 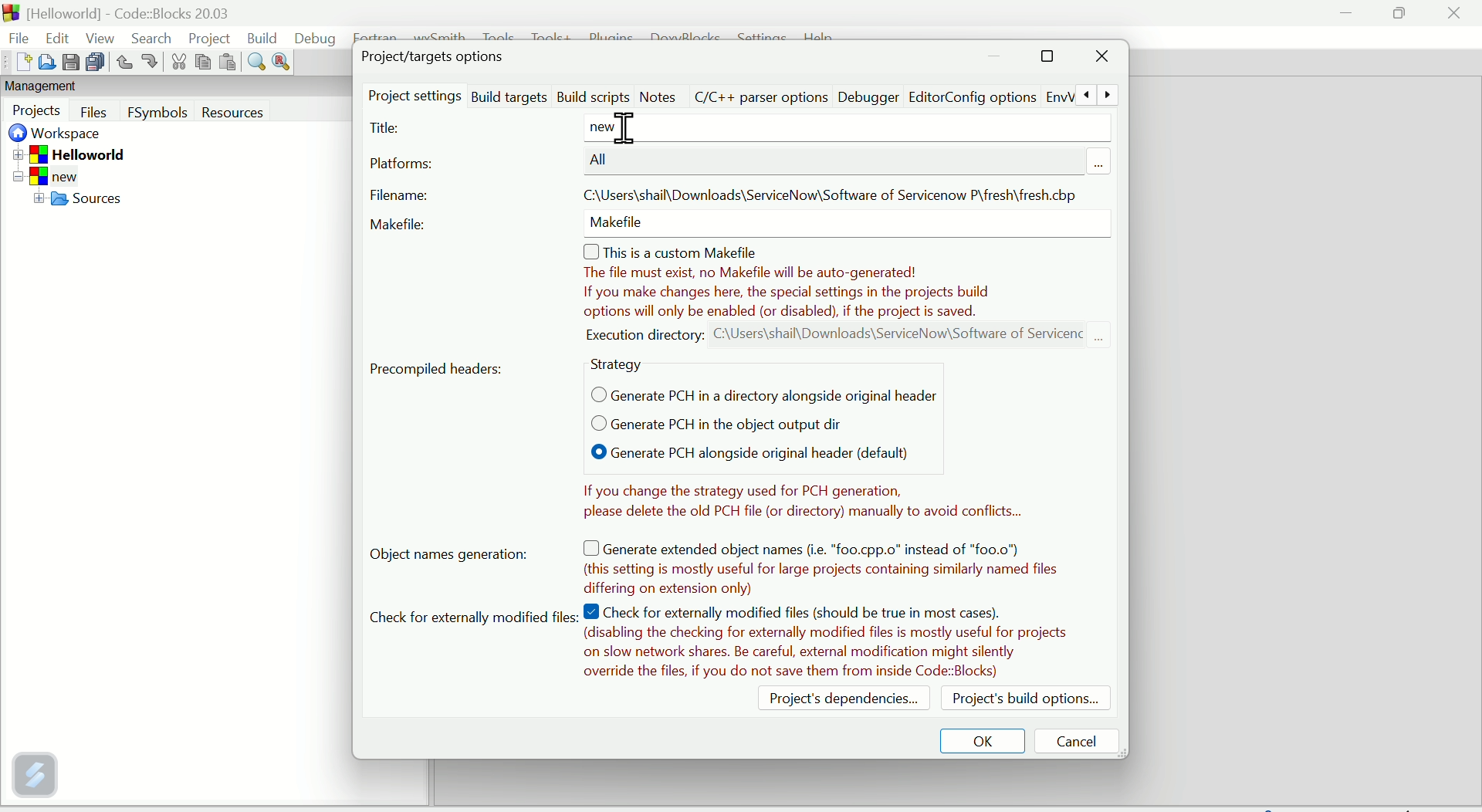 I want to click on Management, so click(x=71, y=87).